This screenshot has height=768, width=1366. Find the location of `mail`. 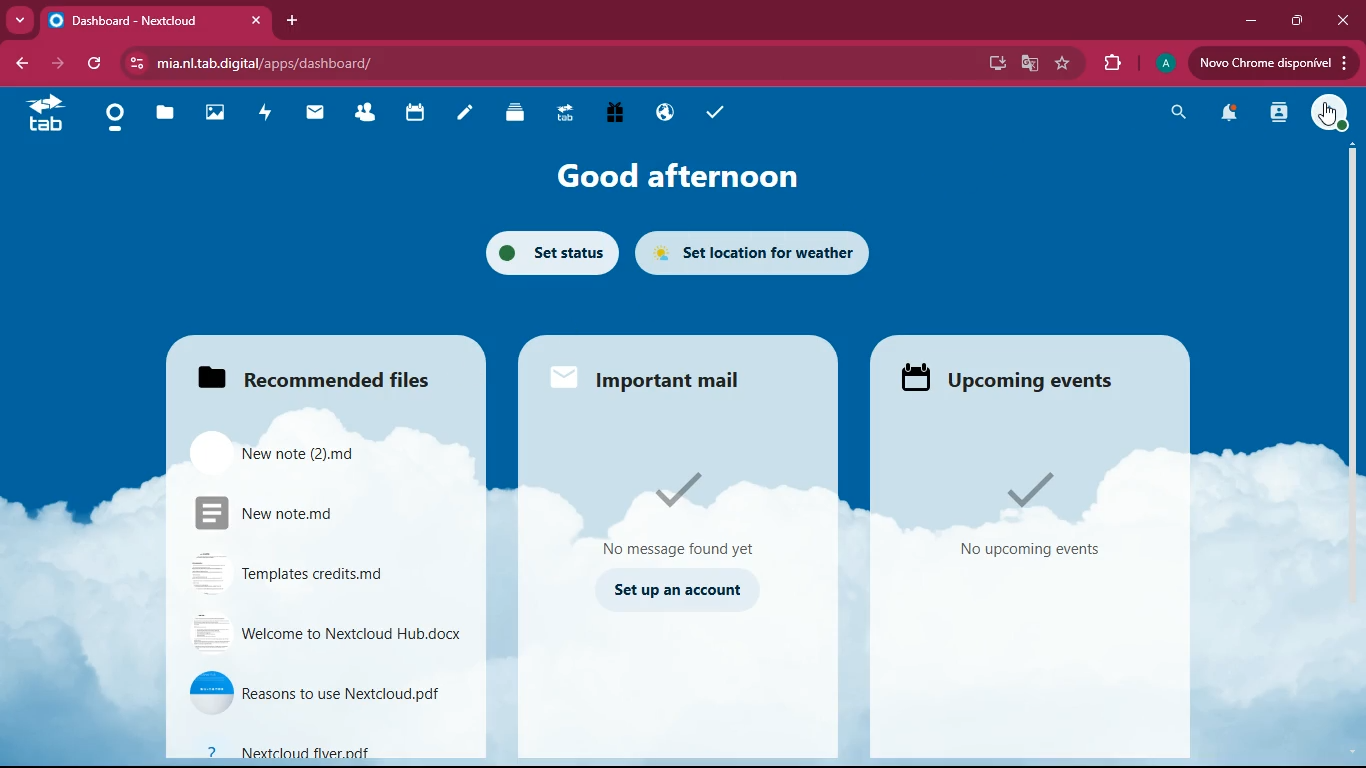

mail is located at coordinates (318, 118).